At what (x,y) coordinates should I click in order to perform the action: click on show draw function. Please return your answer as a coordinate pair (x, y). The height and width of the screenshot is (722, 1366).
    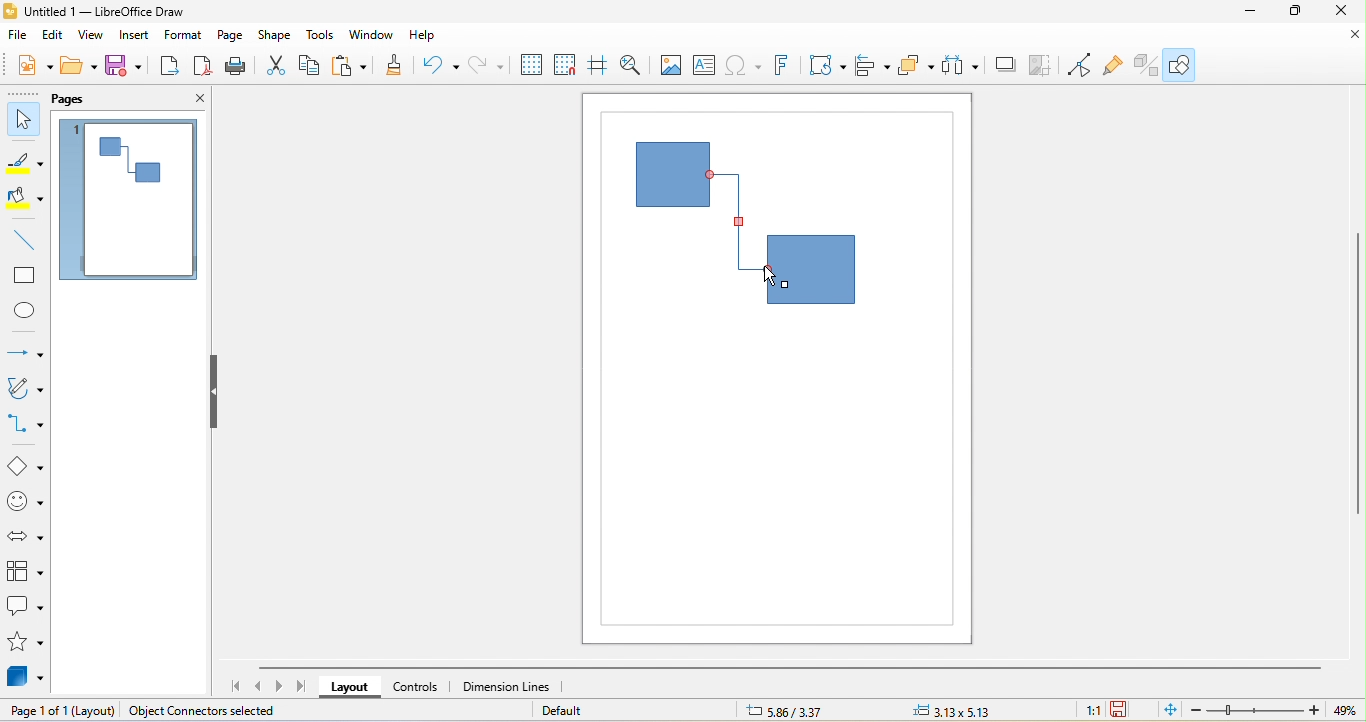
    Looking at the image, I should click on (1187, 64).